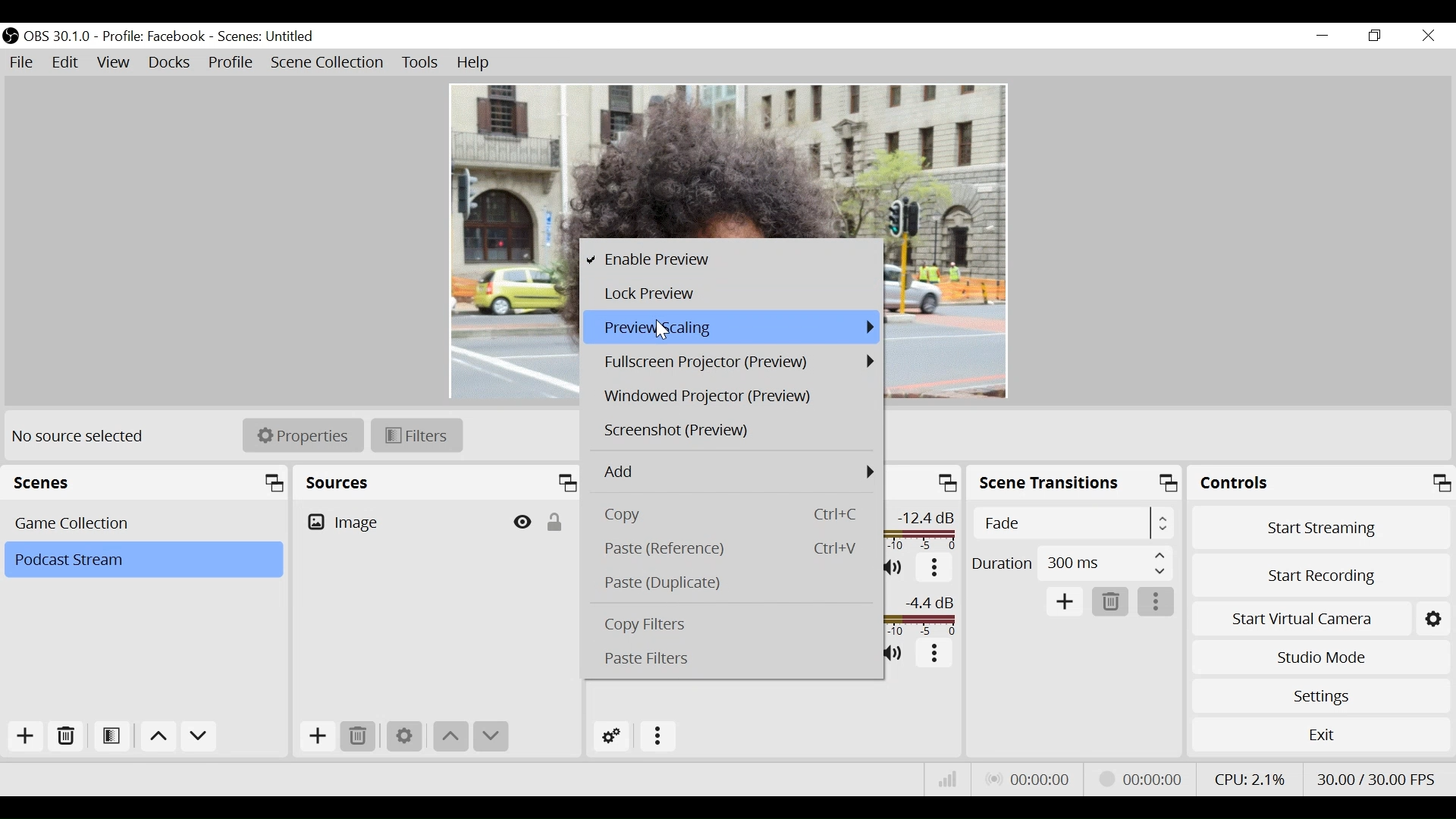 This screenshot has height=819, width=1456. Describe the element at coordinates (730, 397) in the screenshot. I see `Windowed Projector Preview` at that location.